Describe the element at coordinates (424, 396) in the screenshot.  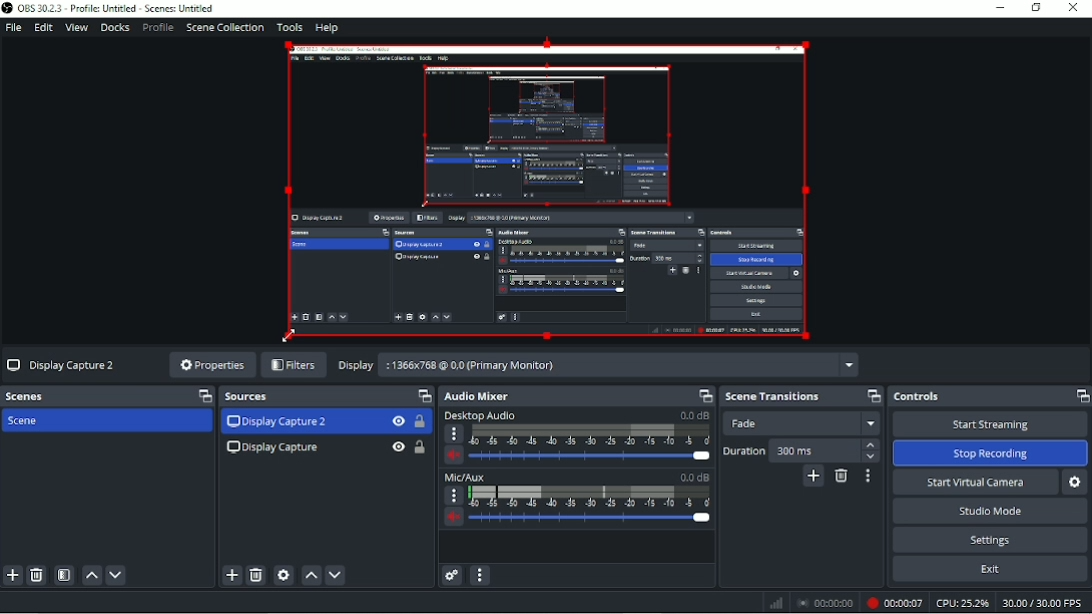
I see `Maximize` at that location.